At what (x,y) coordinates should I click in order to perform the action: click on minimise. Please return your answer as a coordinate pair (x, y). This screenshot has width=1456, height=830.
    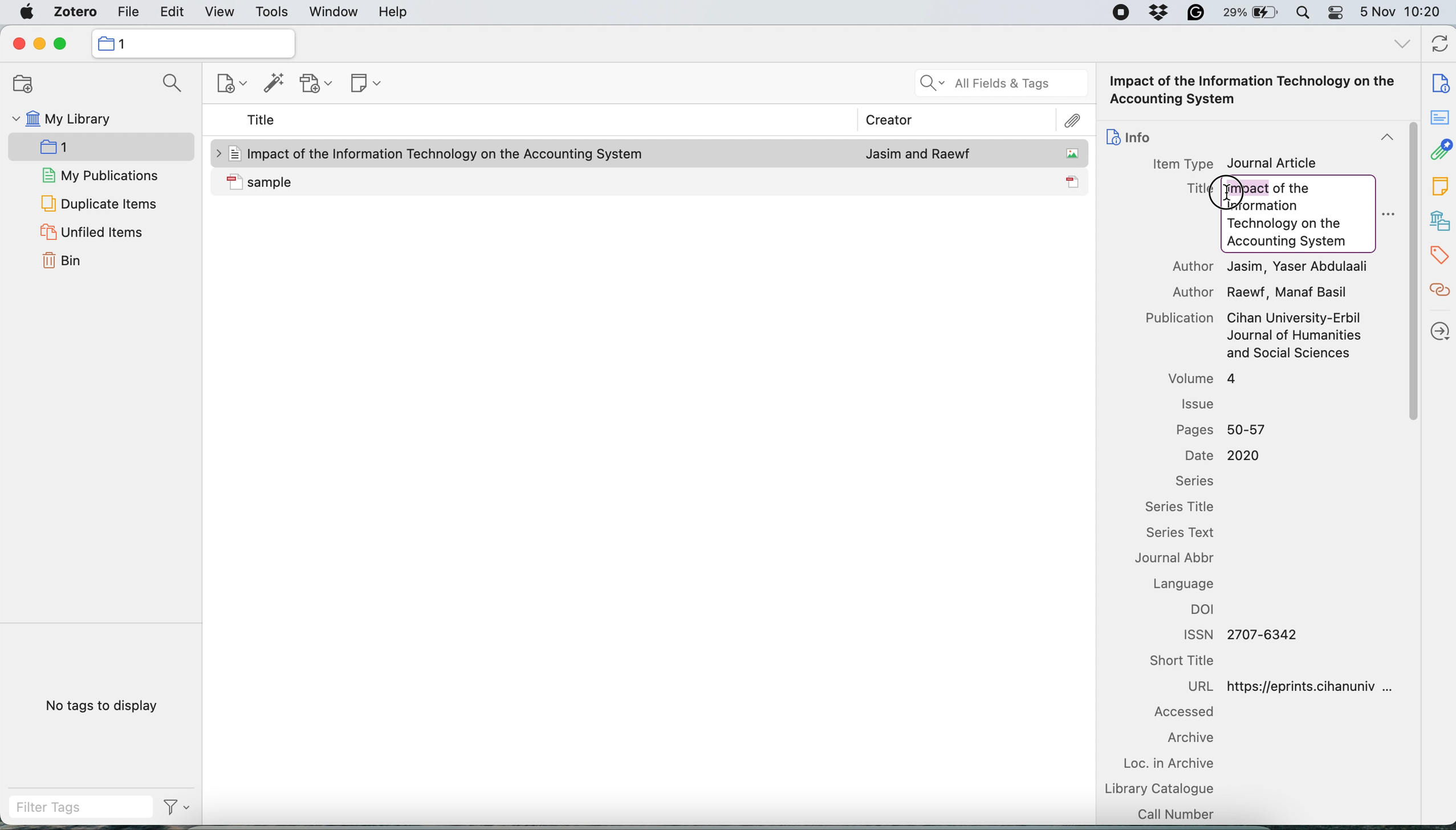
    Looking at the image, I should click on (40, 44).